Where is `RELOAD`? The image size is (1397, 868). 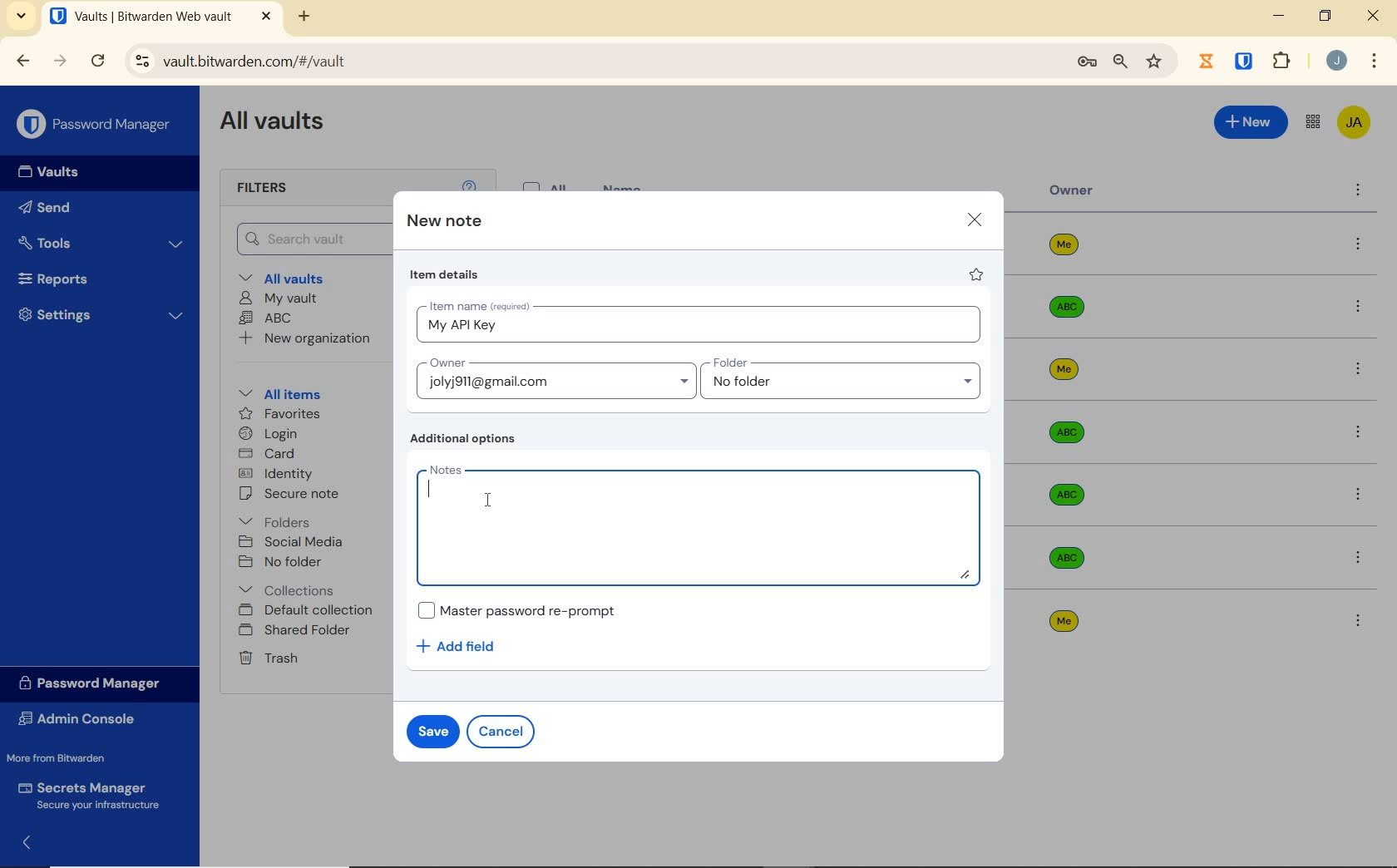 RELOAD is located at coordinates (99, 62).